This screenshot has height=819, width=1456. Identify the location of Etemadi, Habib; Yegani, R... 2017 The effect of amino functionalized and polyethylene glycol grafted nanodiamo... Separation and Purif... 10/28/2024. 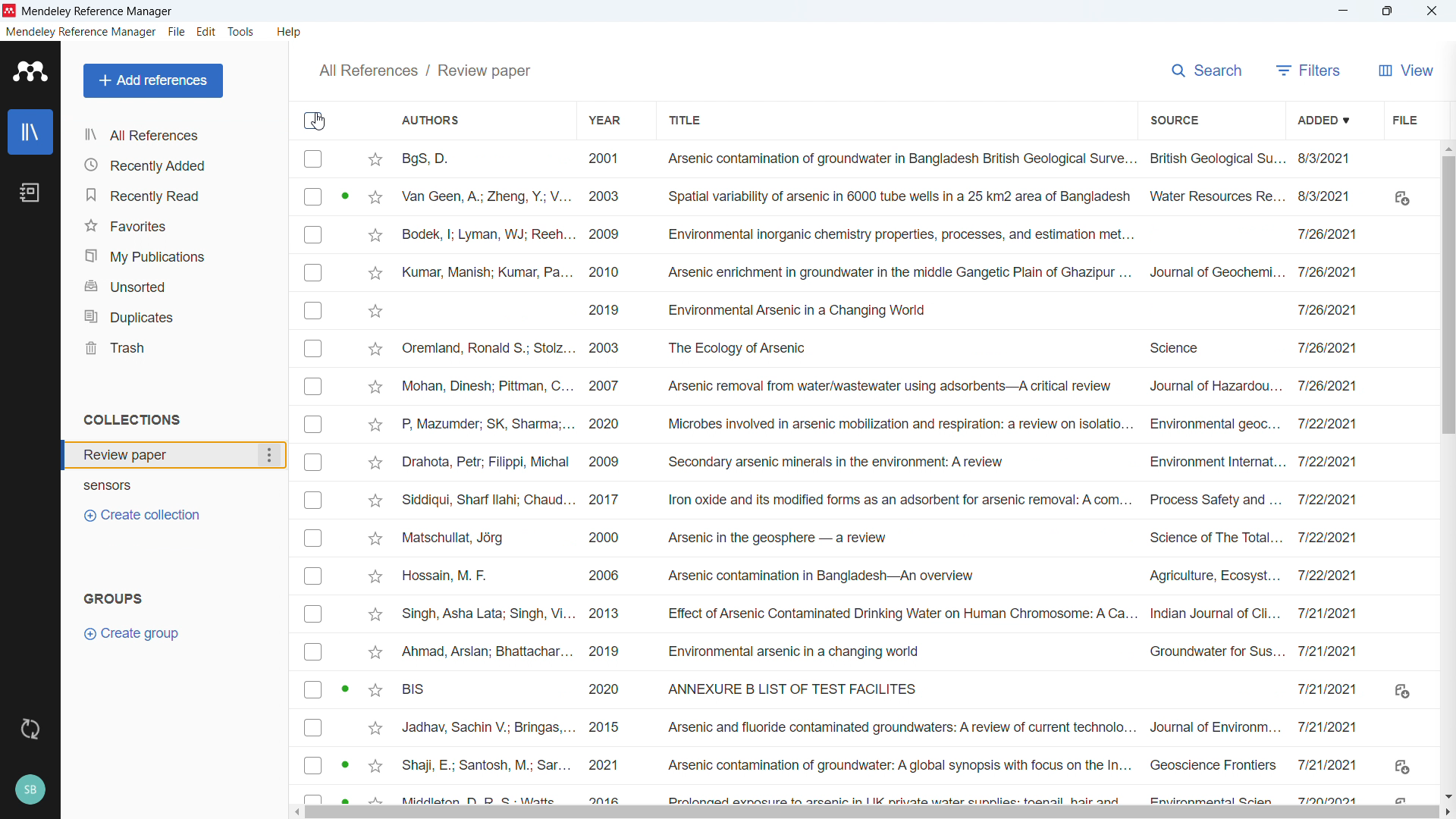
(884, 196).